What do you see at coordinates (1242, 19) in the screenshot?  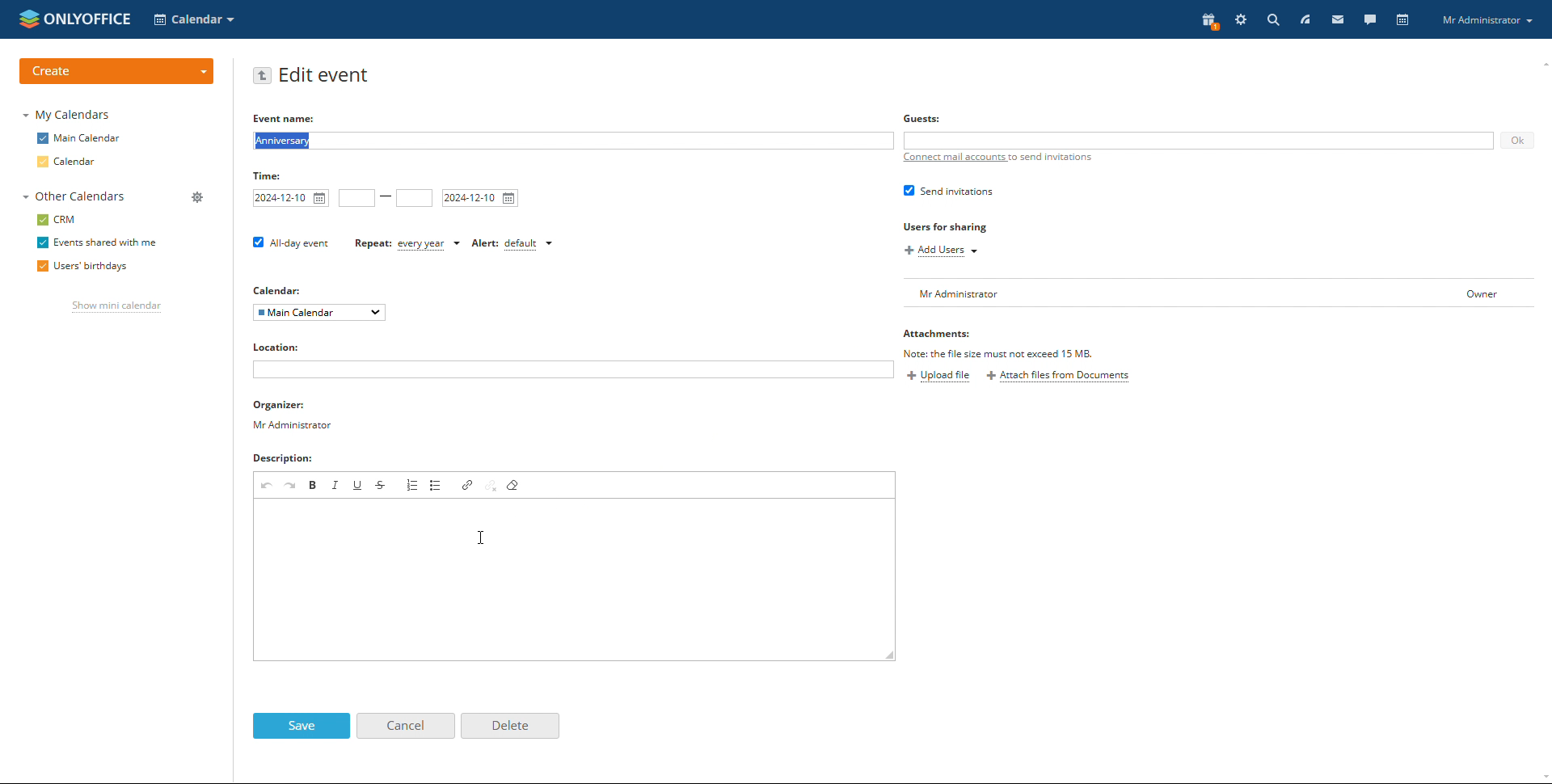 I see `settings` at bounding box center [1242, 19].